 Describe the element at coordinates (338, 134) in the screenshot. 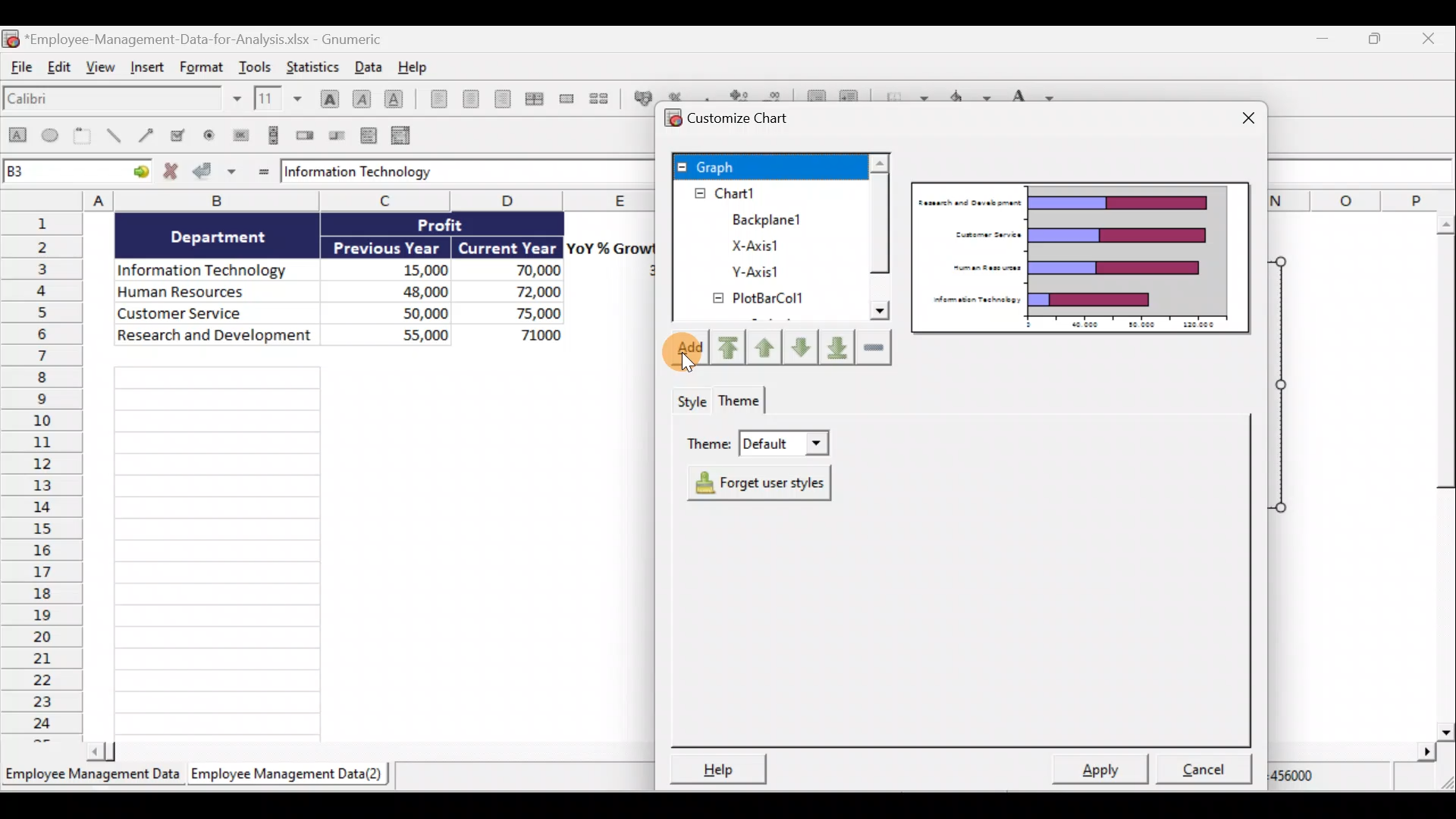

I see `Create a slider` at that location.